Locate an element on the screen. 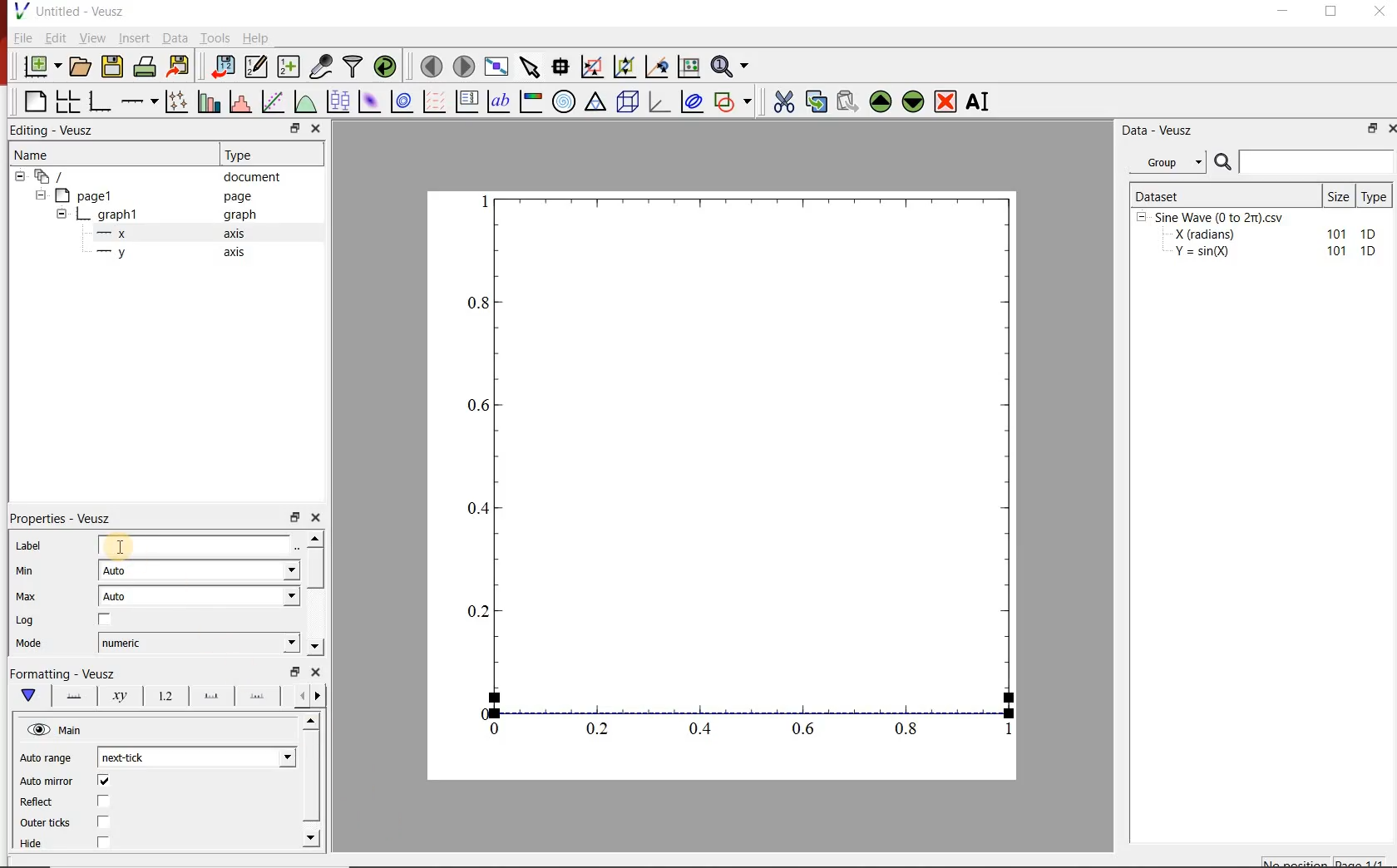  select item from graph is located at coordinates (531, 65).